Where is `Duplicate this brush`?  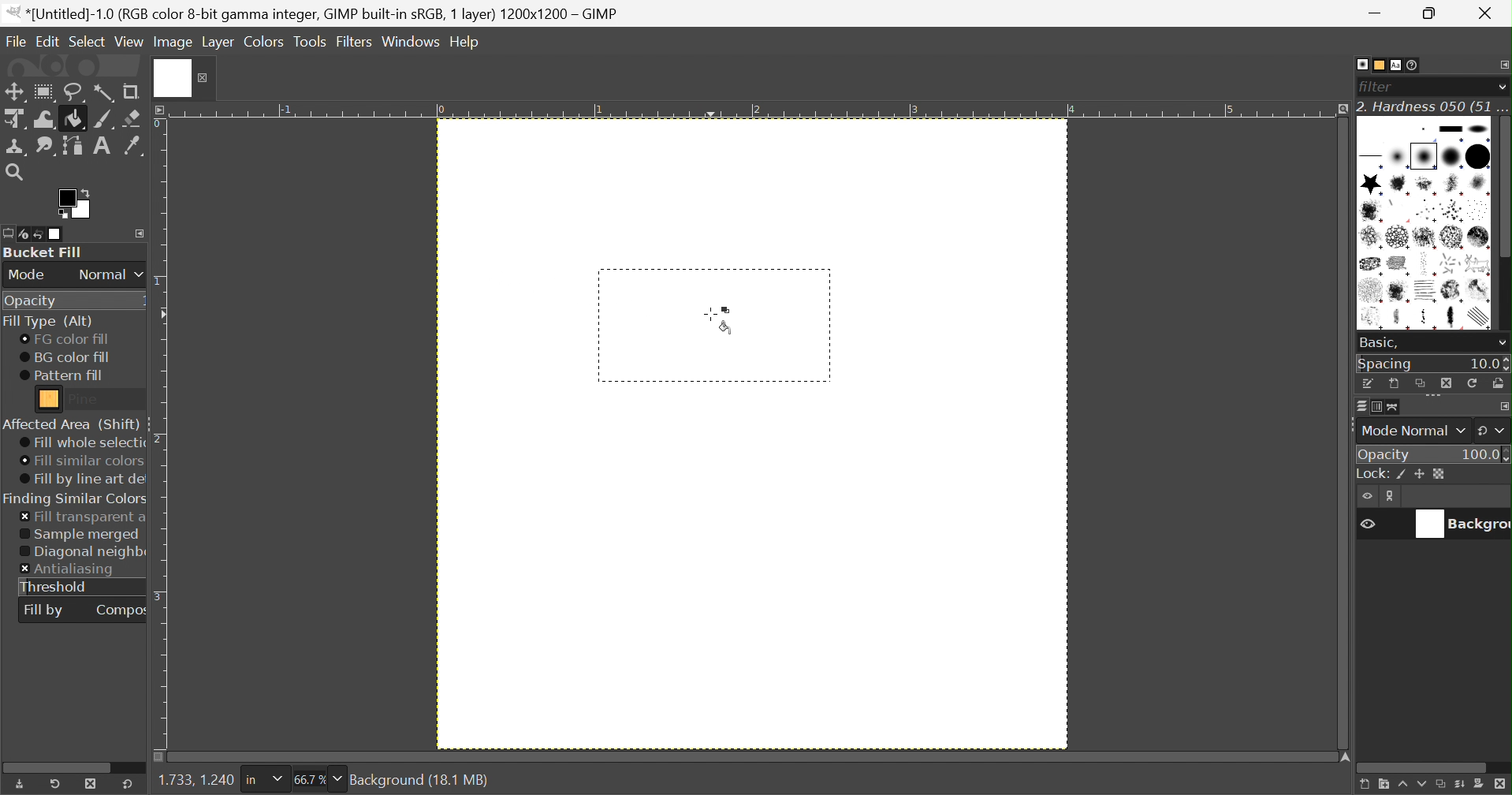
Duplicate this brush is located at coordinates (1420, 383).